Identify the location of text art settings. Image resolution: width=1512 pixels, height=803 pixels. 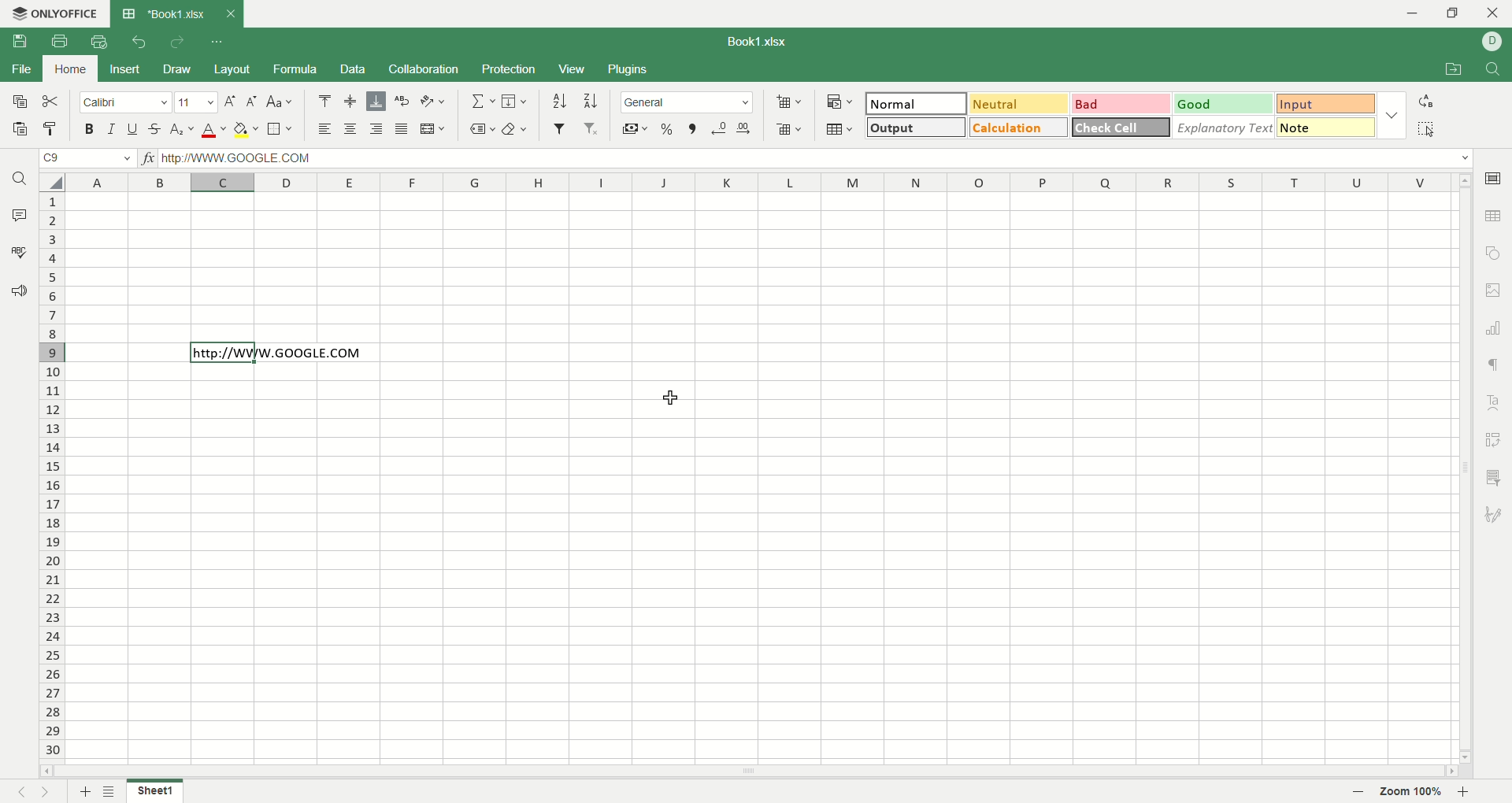
(1493, 398).